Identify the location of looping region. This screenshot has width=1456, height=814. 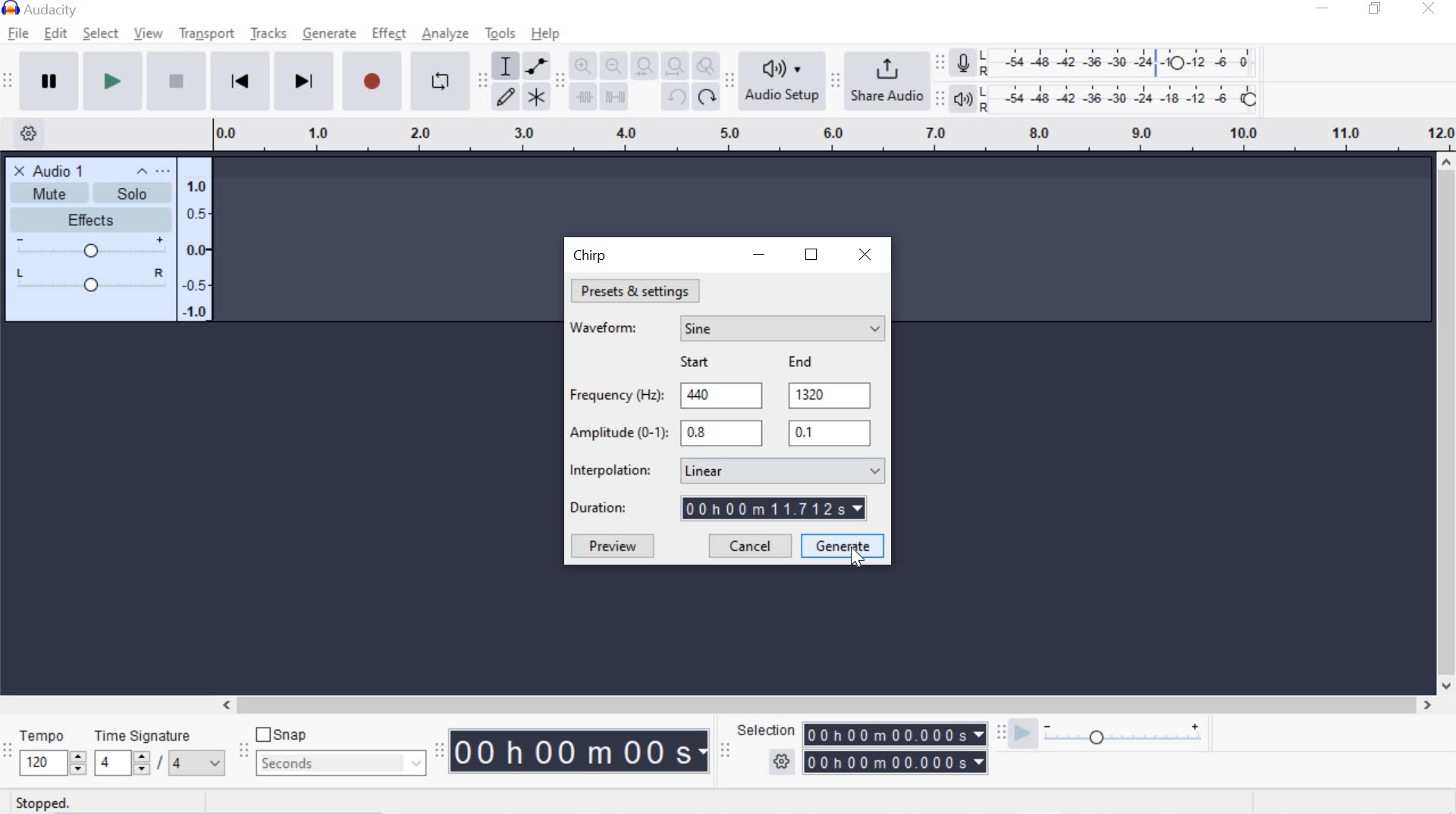
(833, 136).